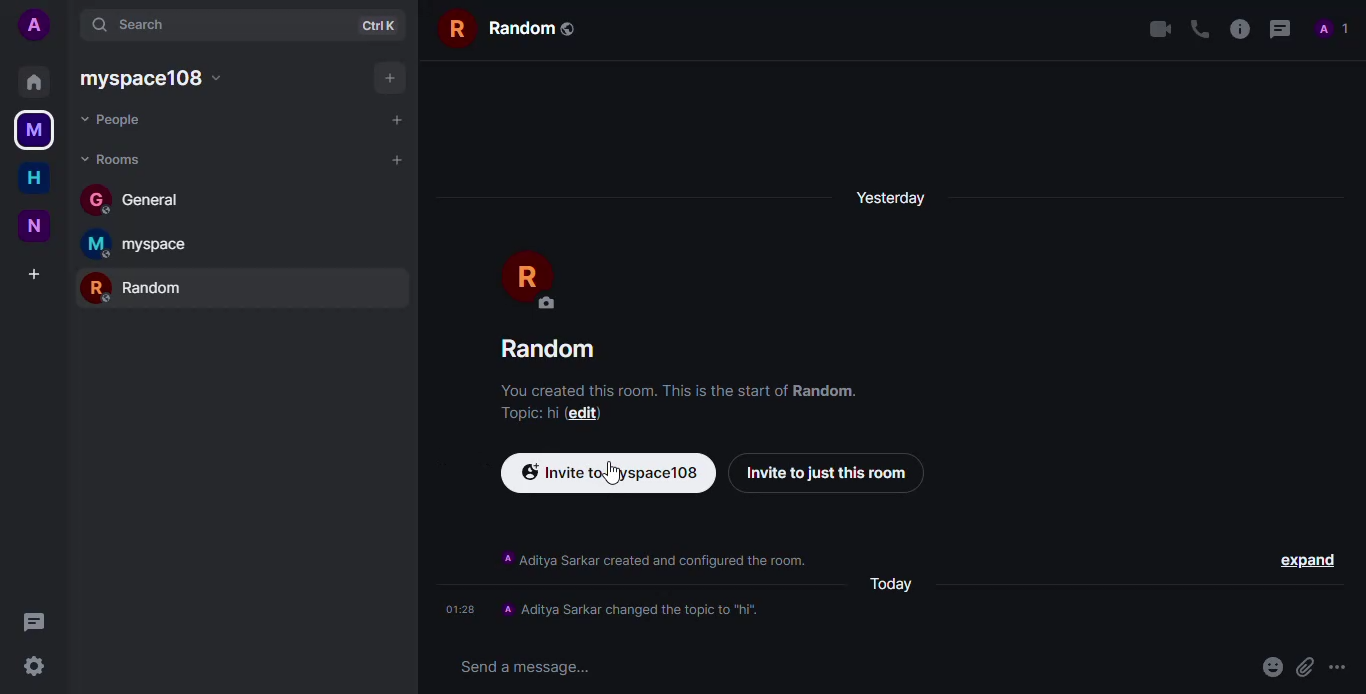 This screenshot has width=1366, height=694. What do you see at coordinates (113, 161) in the screenshot?
I see `rooms` at bounding box center [113, 161].